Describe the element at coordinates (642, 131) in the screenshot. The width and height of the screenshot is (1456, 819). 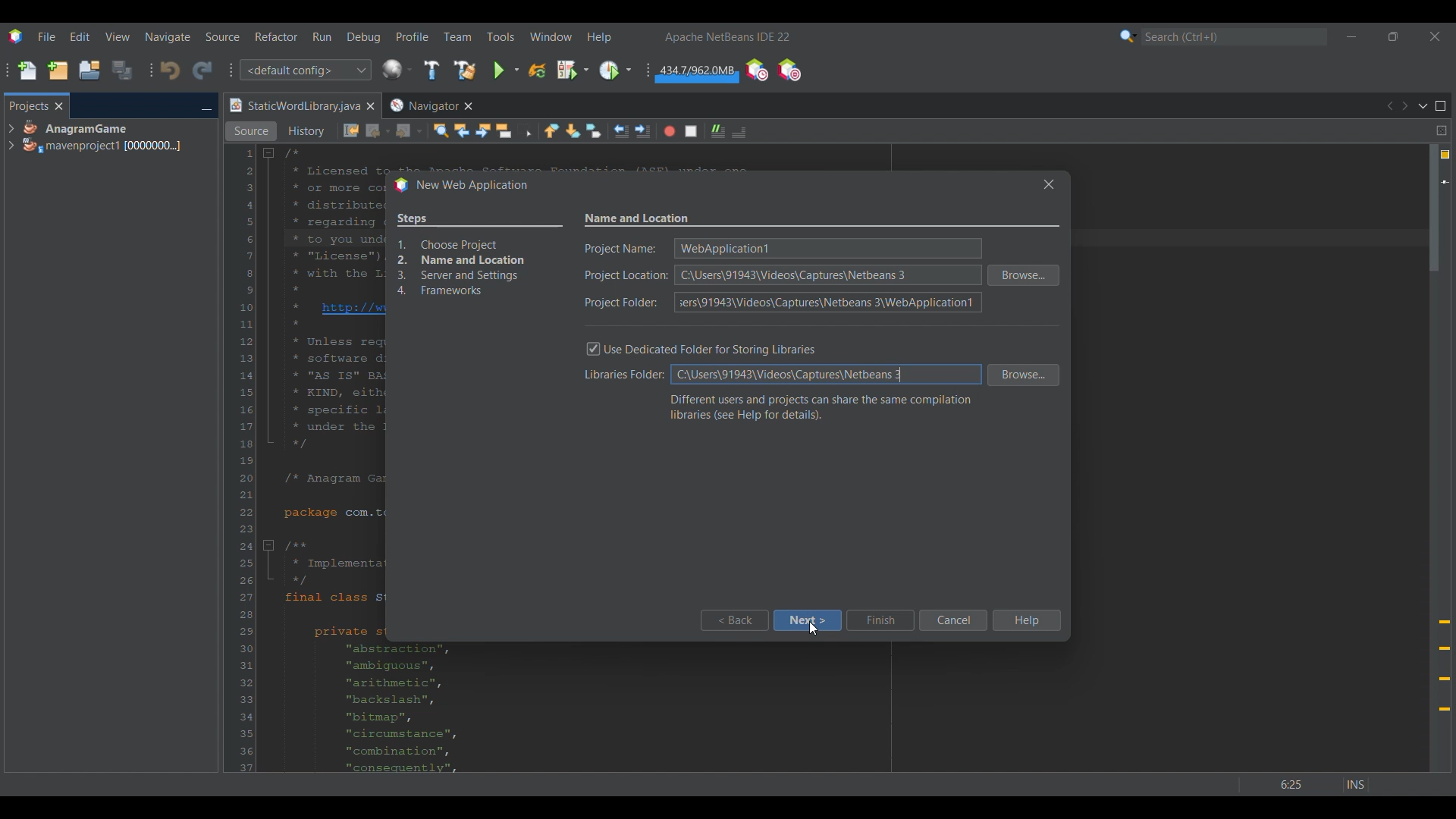
I see `Shift line right` at that location.